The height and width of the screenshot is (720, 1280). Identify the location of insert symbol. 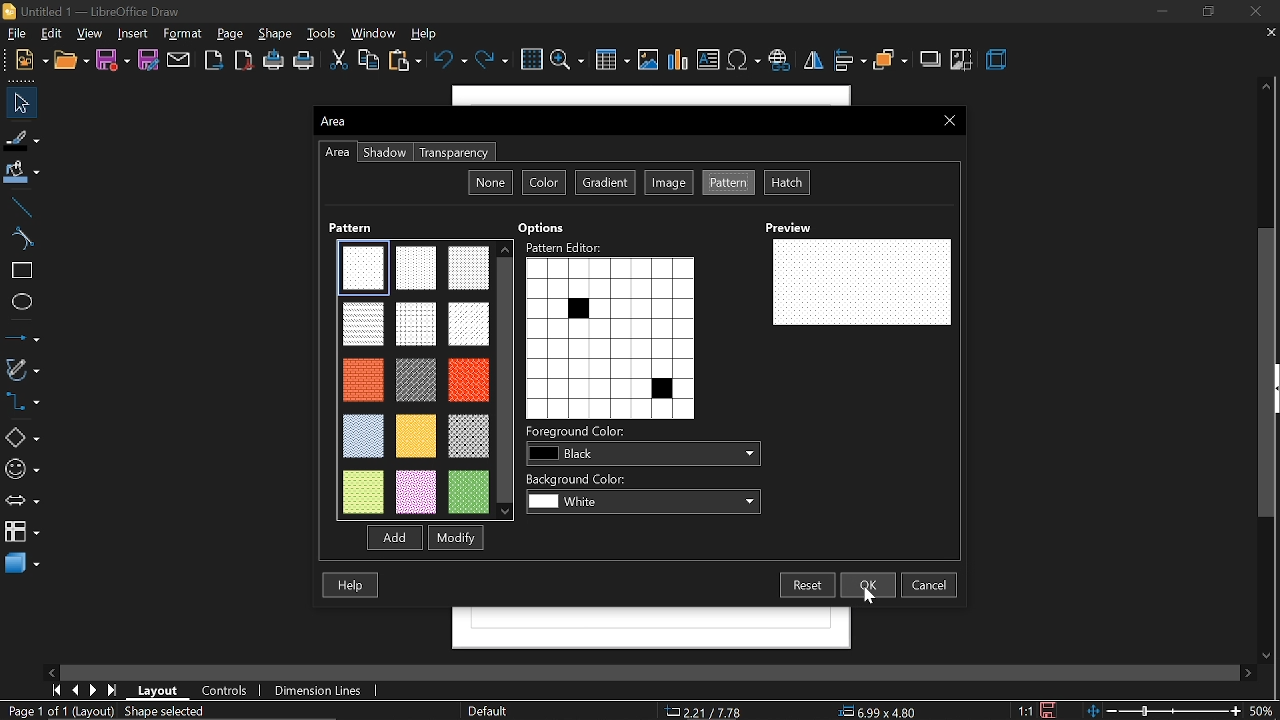
(742, 59).